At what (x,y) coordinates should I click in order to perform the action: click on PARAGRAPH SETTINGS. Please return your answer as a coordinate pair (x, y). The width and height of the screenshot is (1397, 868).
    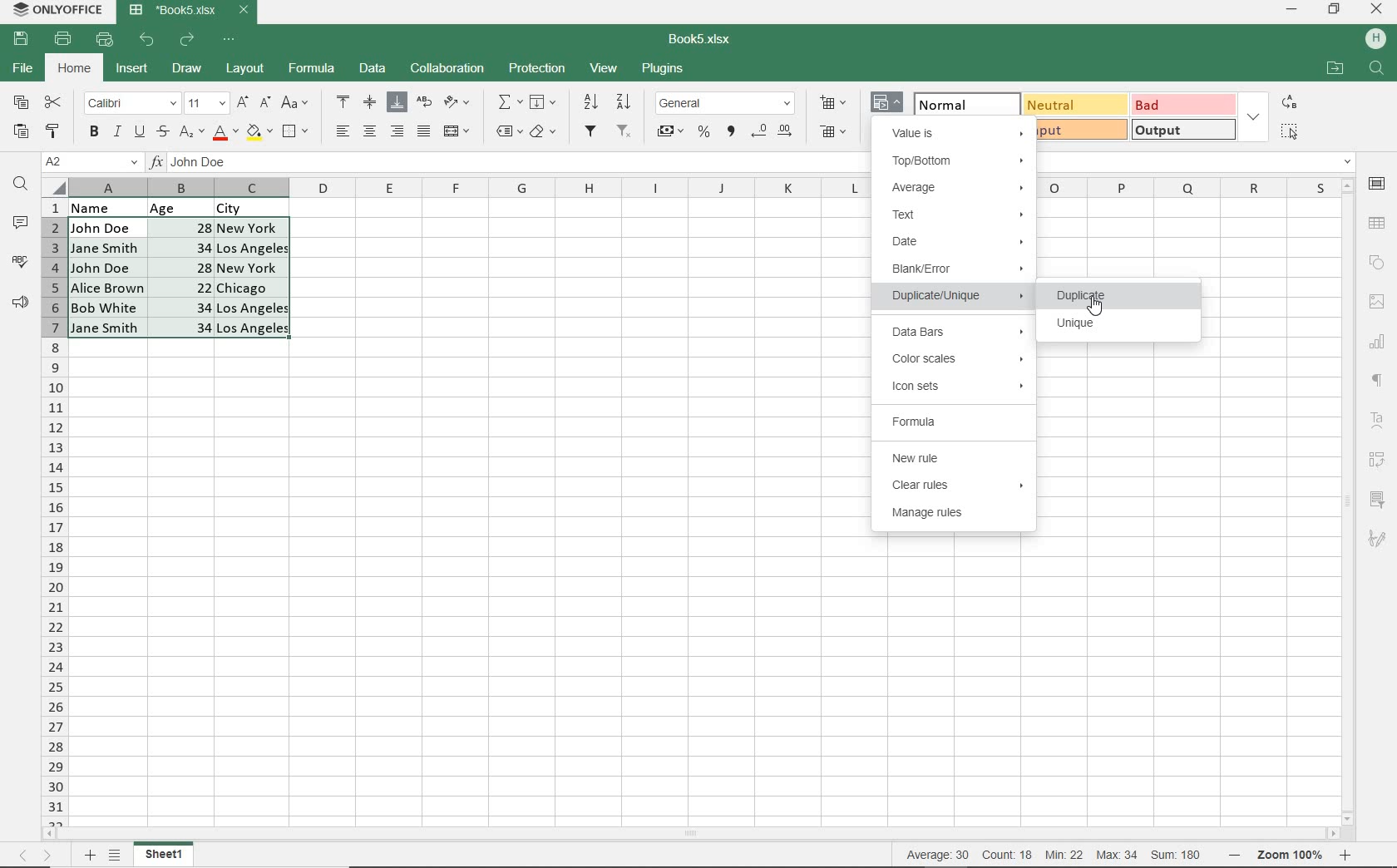
    Looking at the image, I should click on (1378, 381).